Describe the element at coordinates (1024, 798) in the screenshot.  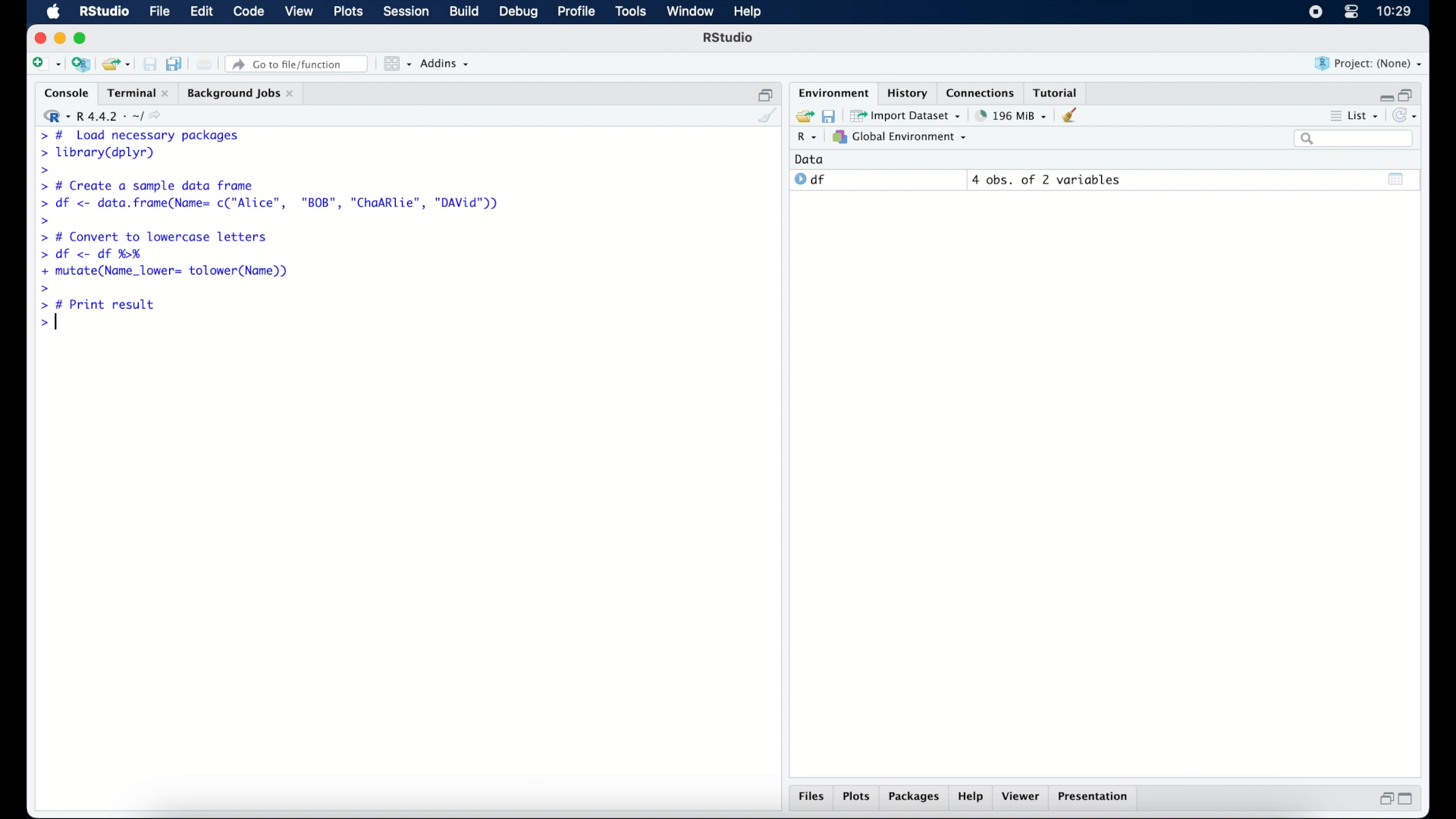
I see `viewer` at that location.